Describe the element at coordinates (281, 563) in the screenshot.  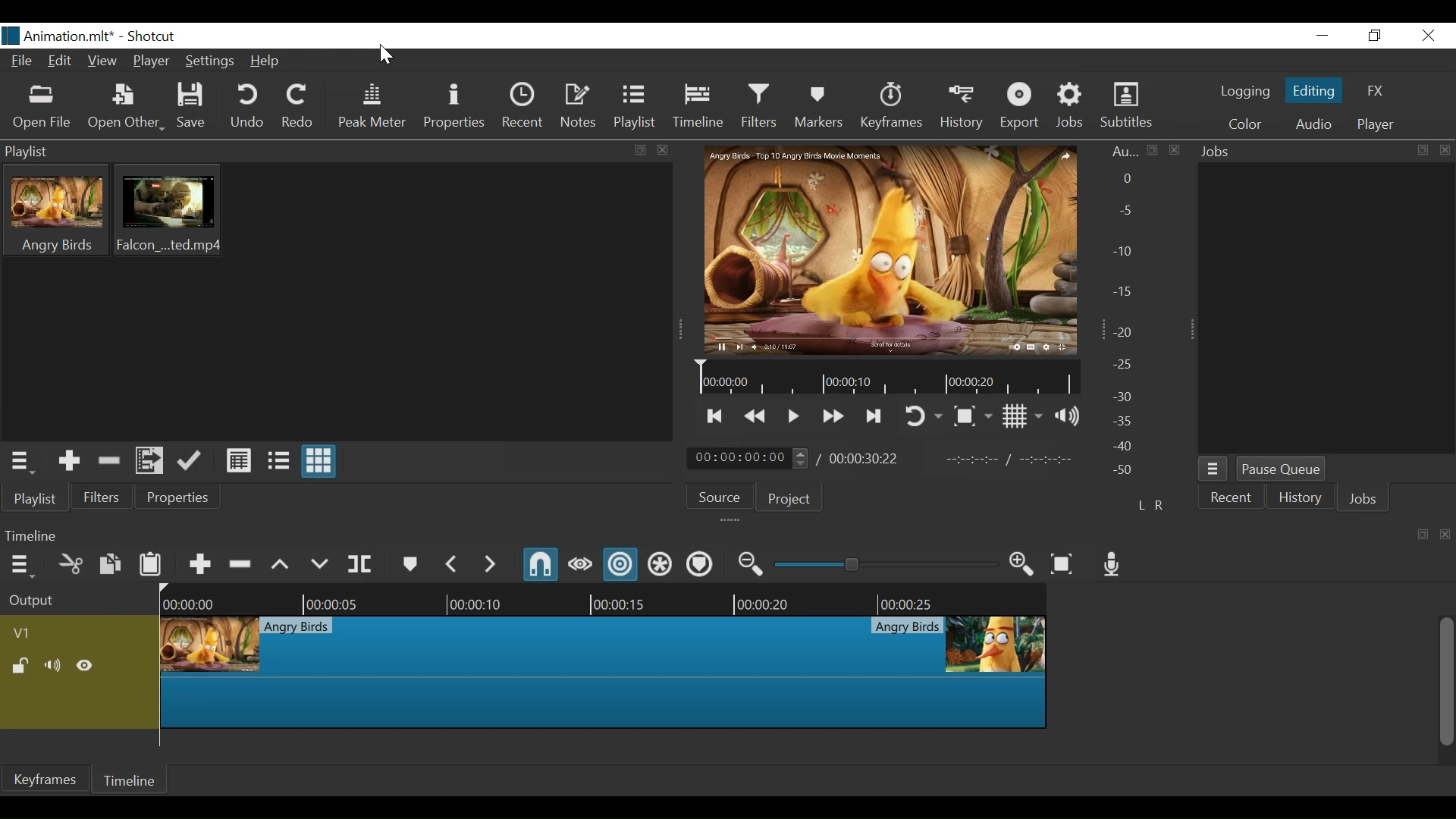
I see `Lift` at that location.